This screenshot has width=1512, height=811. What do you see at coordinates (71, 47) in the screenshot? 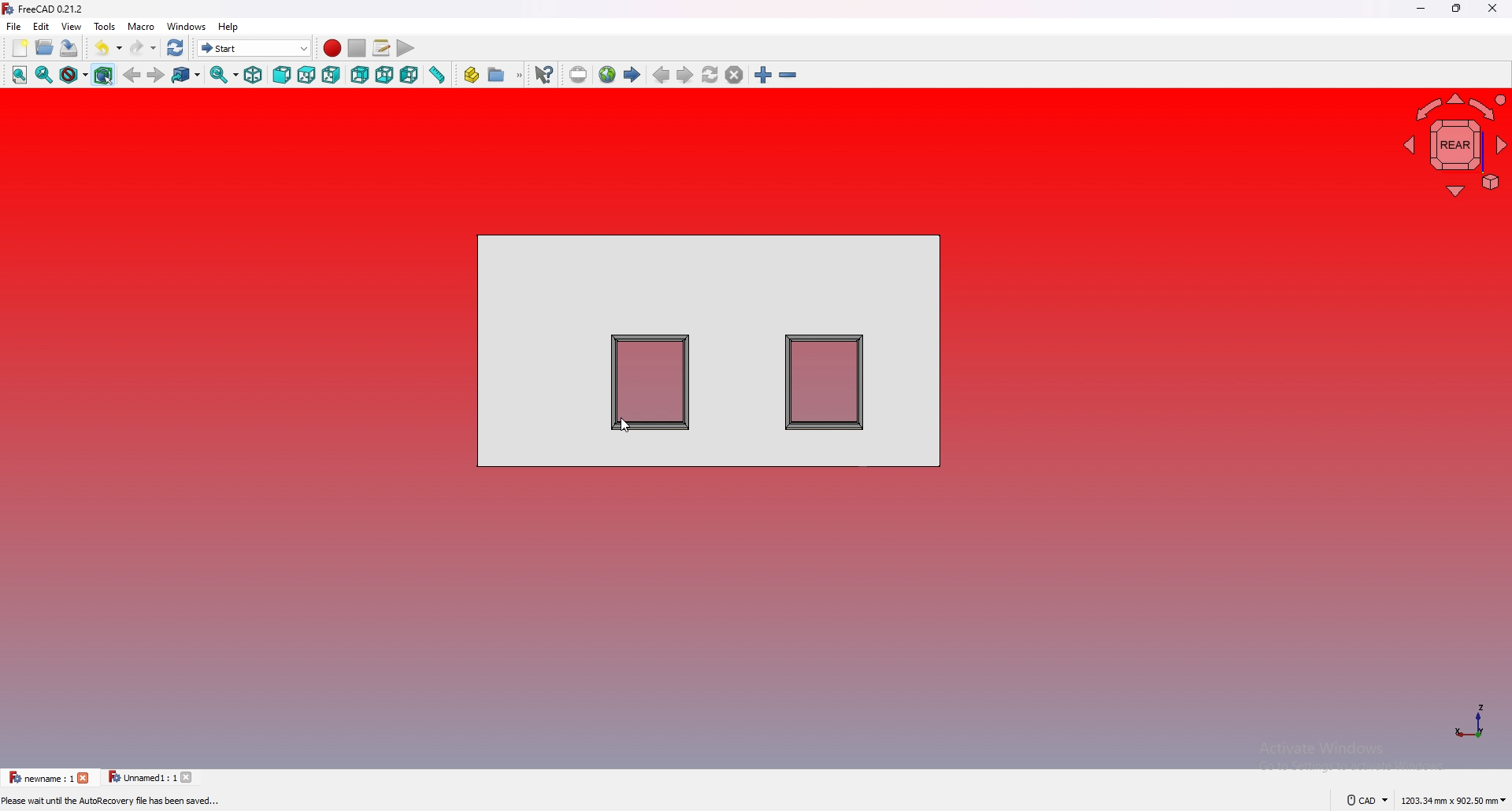
I see `save` at bounding box center [71, 47].